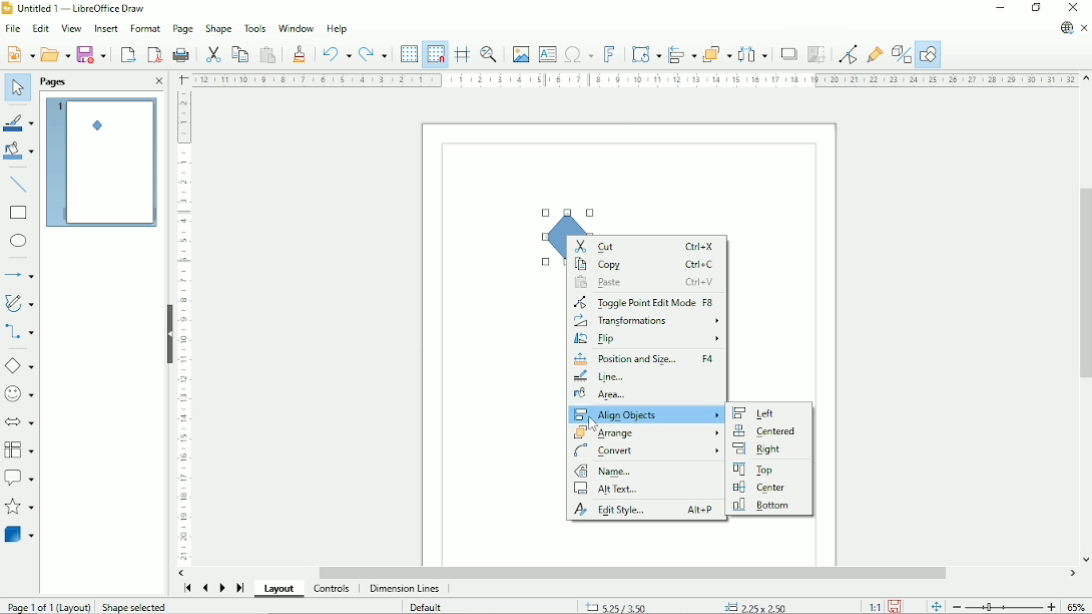 The image size is (1092, 614). Describe the element at coordinates (1071, 7) in the screenshot. I see `Close` at that location.